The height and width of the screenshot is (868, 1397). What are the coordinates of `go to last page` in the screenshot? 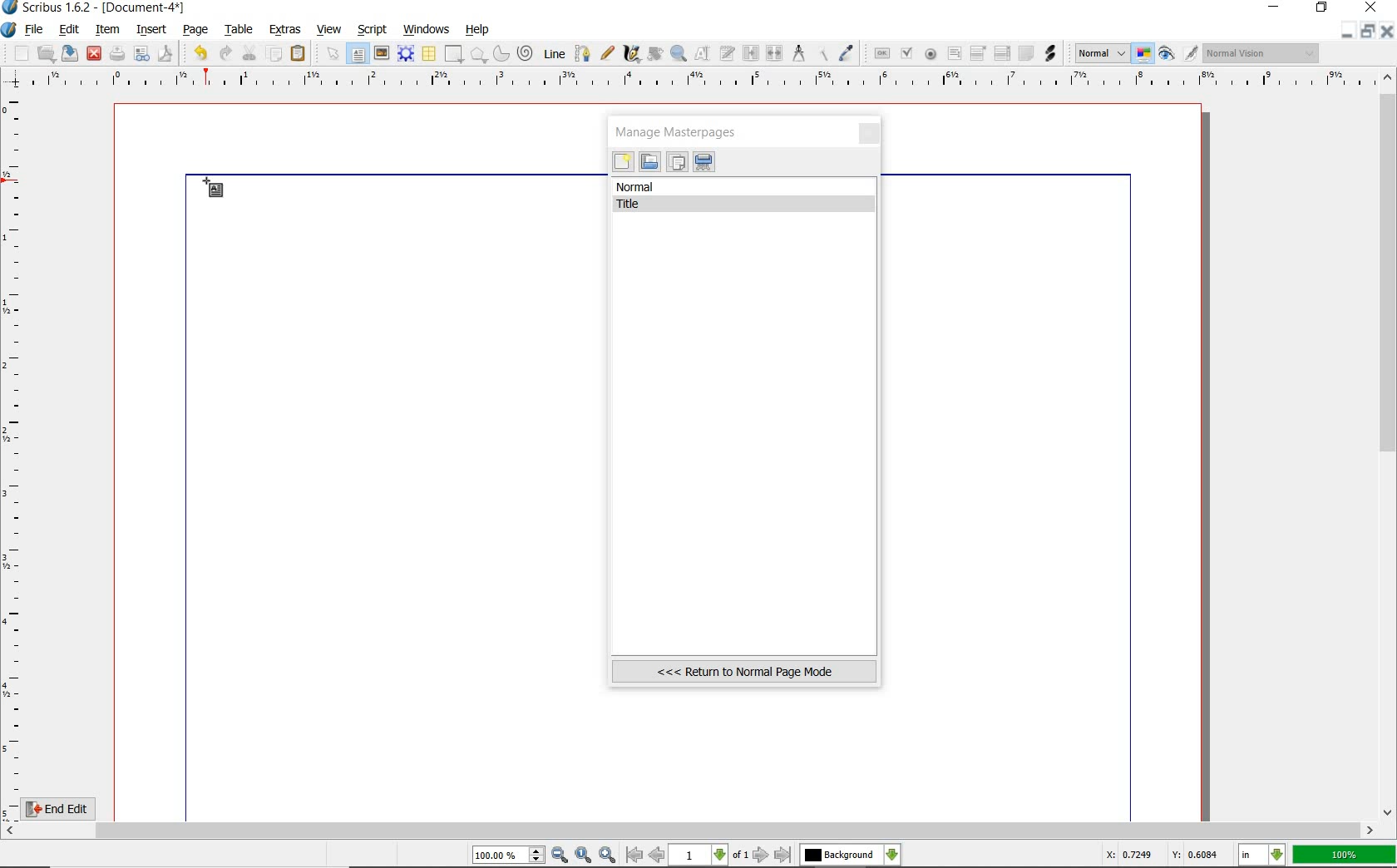 It's located at (783, 855).